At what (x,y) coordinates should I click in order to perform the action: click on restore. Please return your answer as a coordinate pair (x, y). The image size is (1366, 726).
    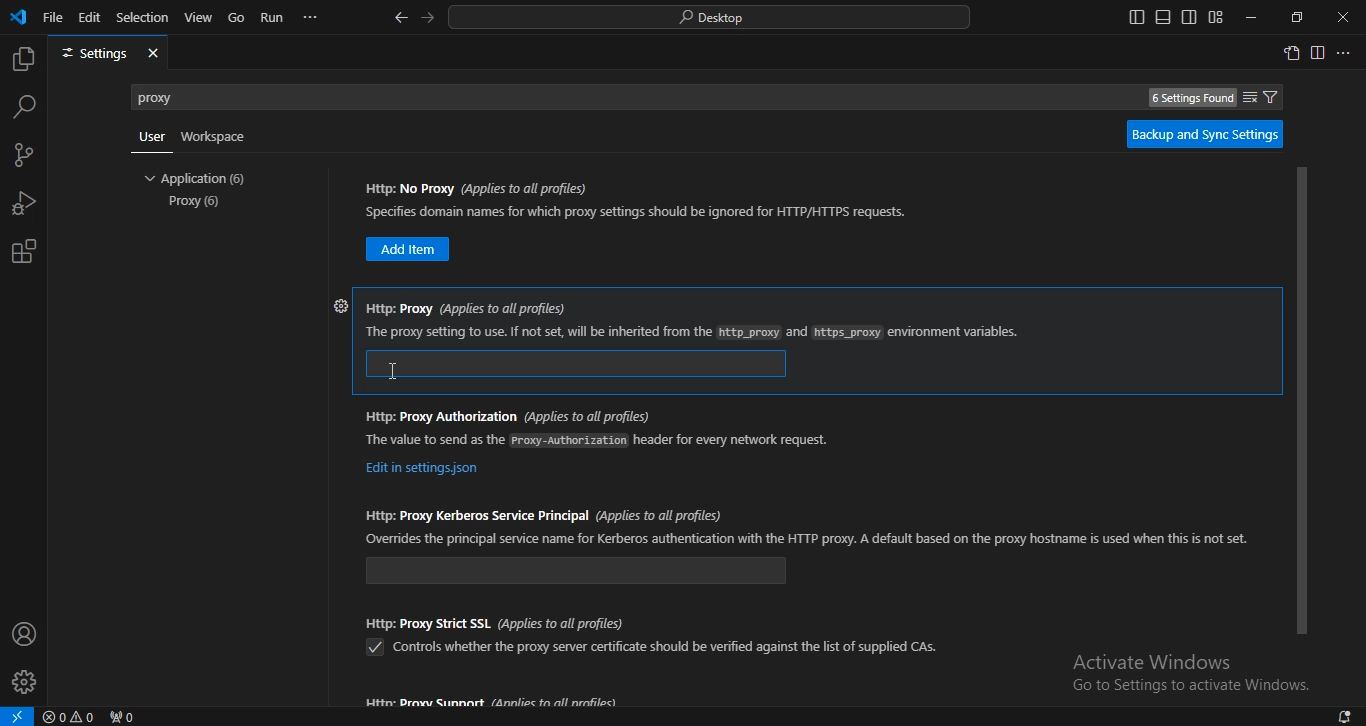
    Looking at the image, I should click on (1298, 17).